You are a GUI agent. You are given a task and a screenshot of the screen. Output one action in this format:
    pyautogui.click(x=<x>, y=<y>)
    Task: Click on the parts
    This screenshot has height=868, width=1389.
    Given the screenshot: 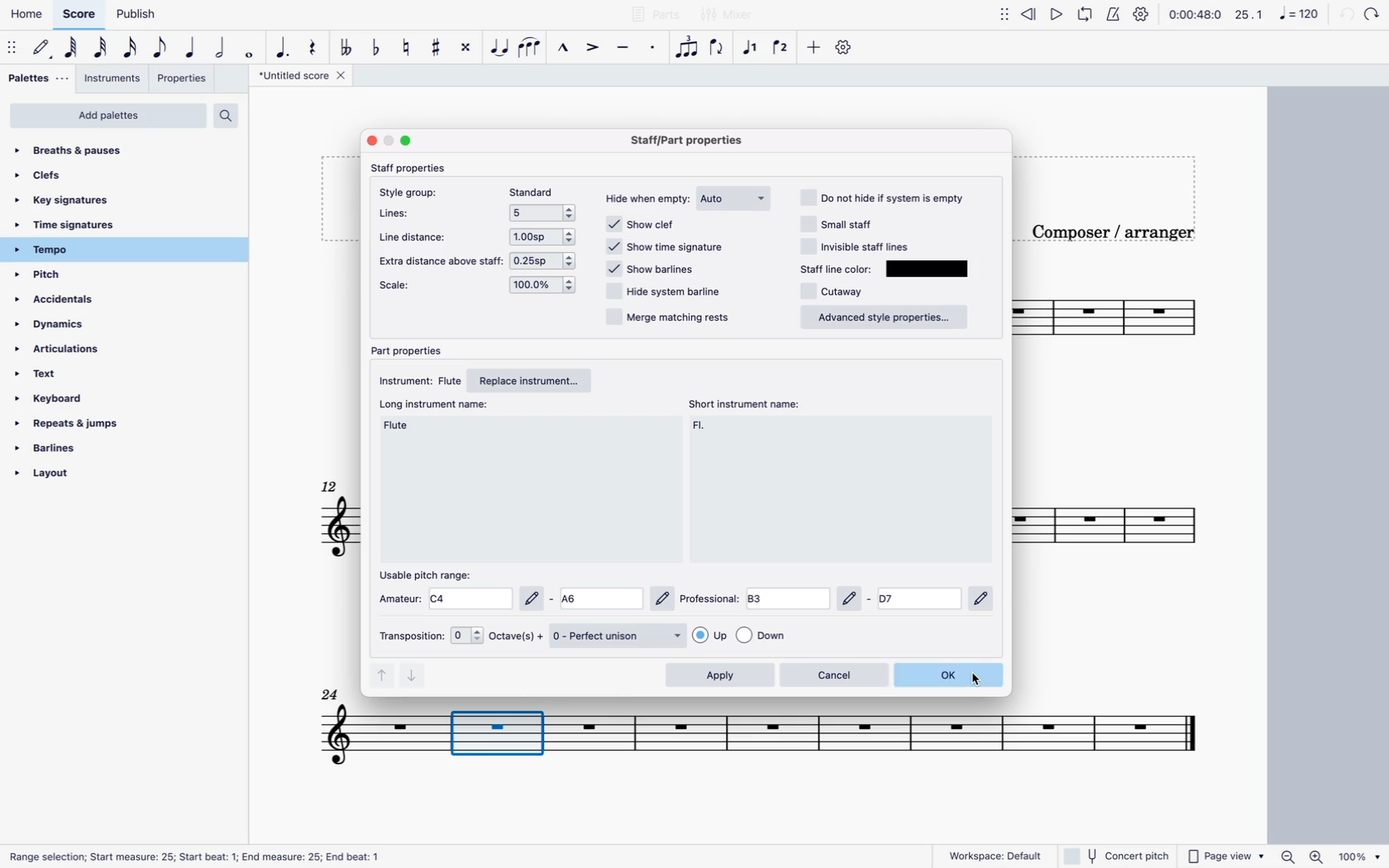 What is the action you would take?
    pyautogui.click(x=655, y=13)
    